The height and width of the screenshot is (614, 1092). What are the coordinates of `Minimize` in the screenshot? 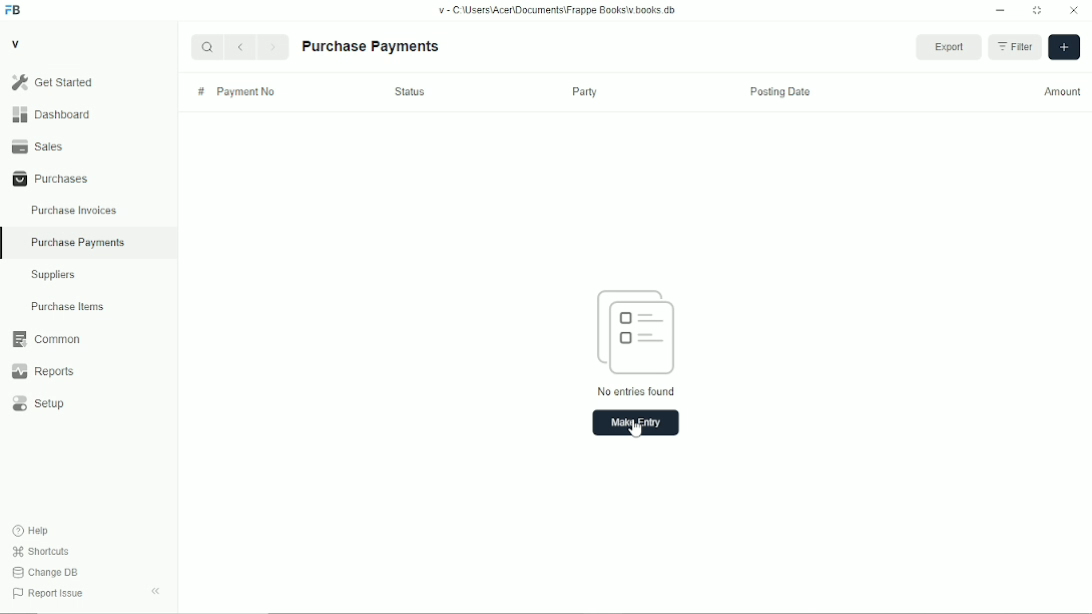 It's located at (1000, 10).